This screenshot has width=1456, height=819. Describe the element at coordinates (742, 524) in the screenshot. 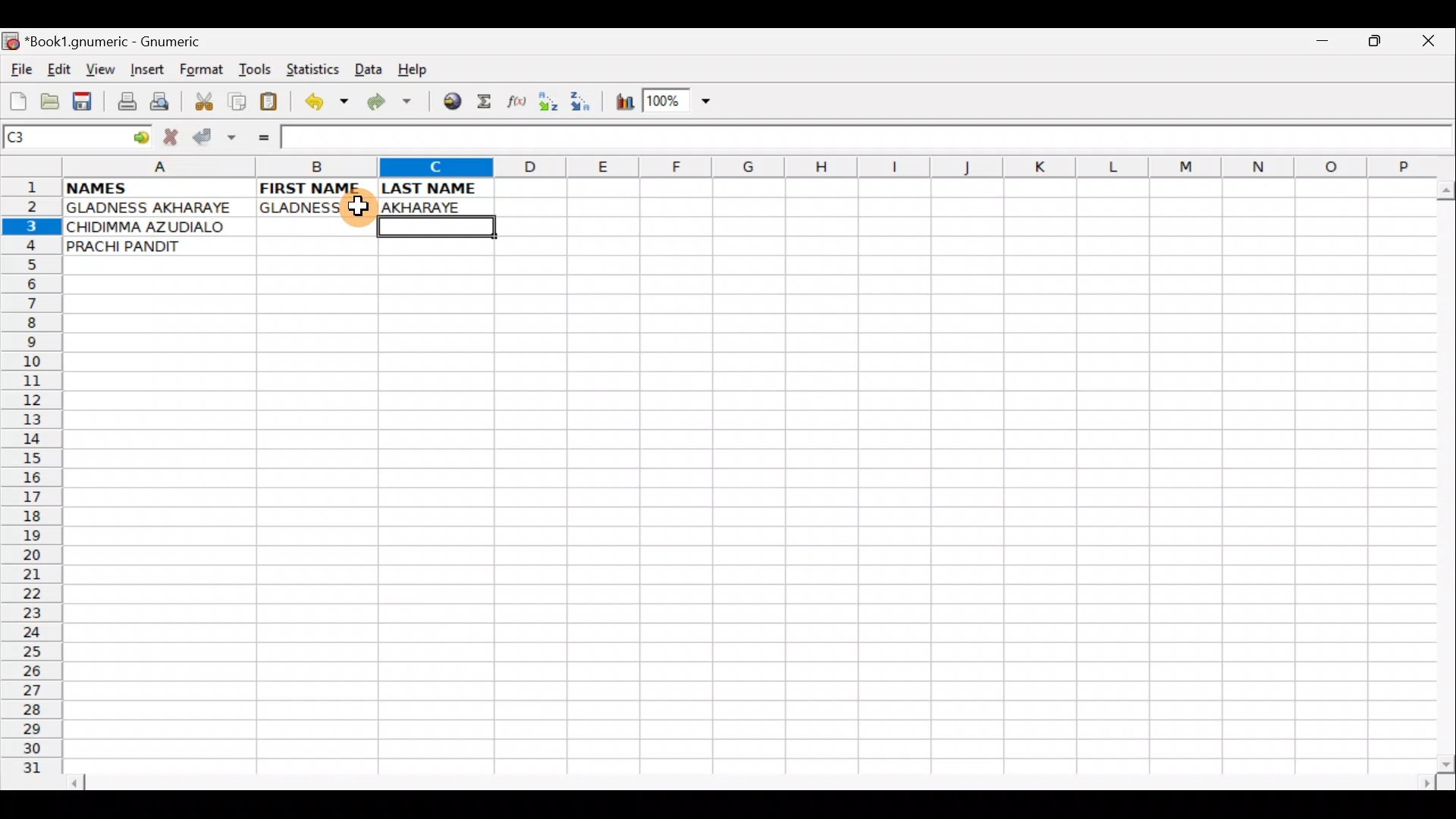

I see `Cells` at that location.